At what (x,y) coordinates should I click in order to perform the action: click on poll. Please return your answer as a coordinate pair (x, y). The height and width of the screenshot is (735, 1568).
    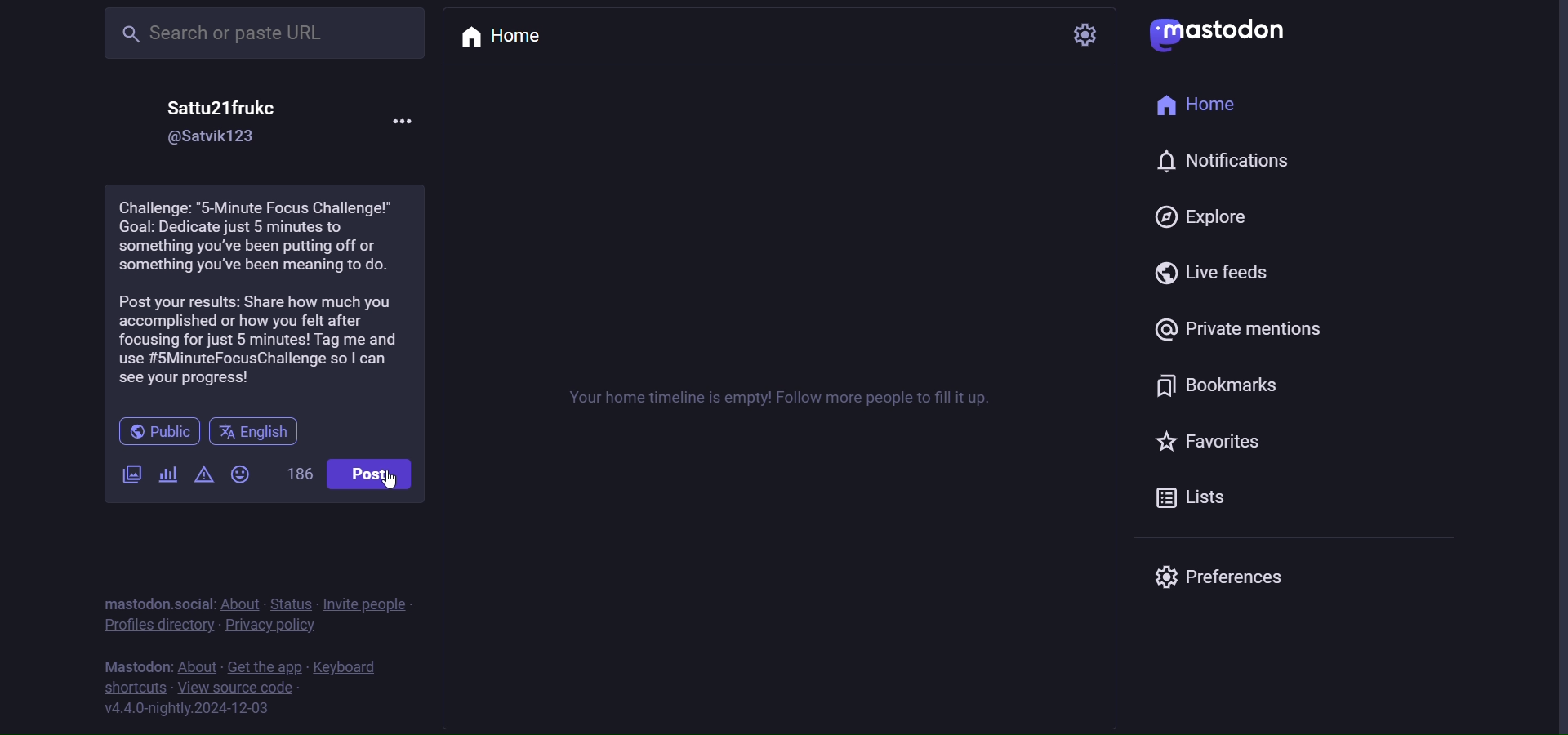
    Looking at the image, I should click on (168, 474).